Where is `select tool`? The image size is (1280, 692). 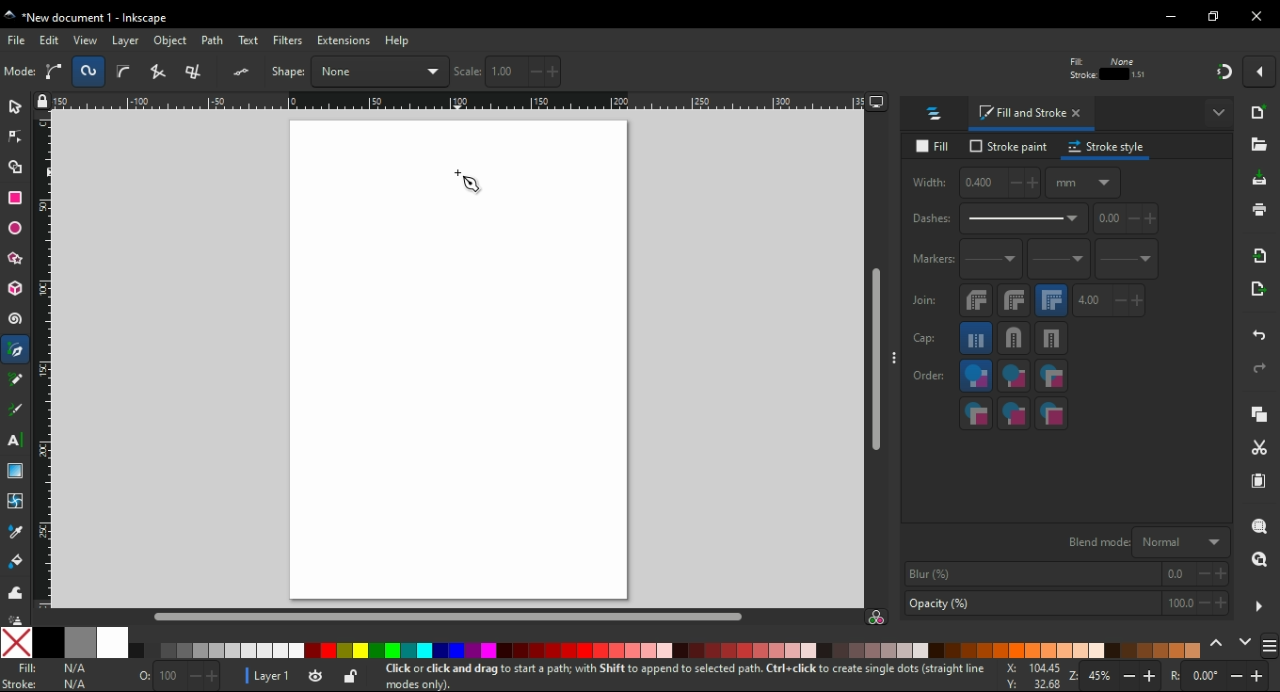 select tool is located at coordinates (15, 105).